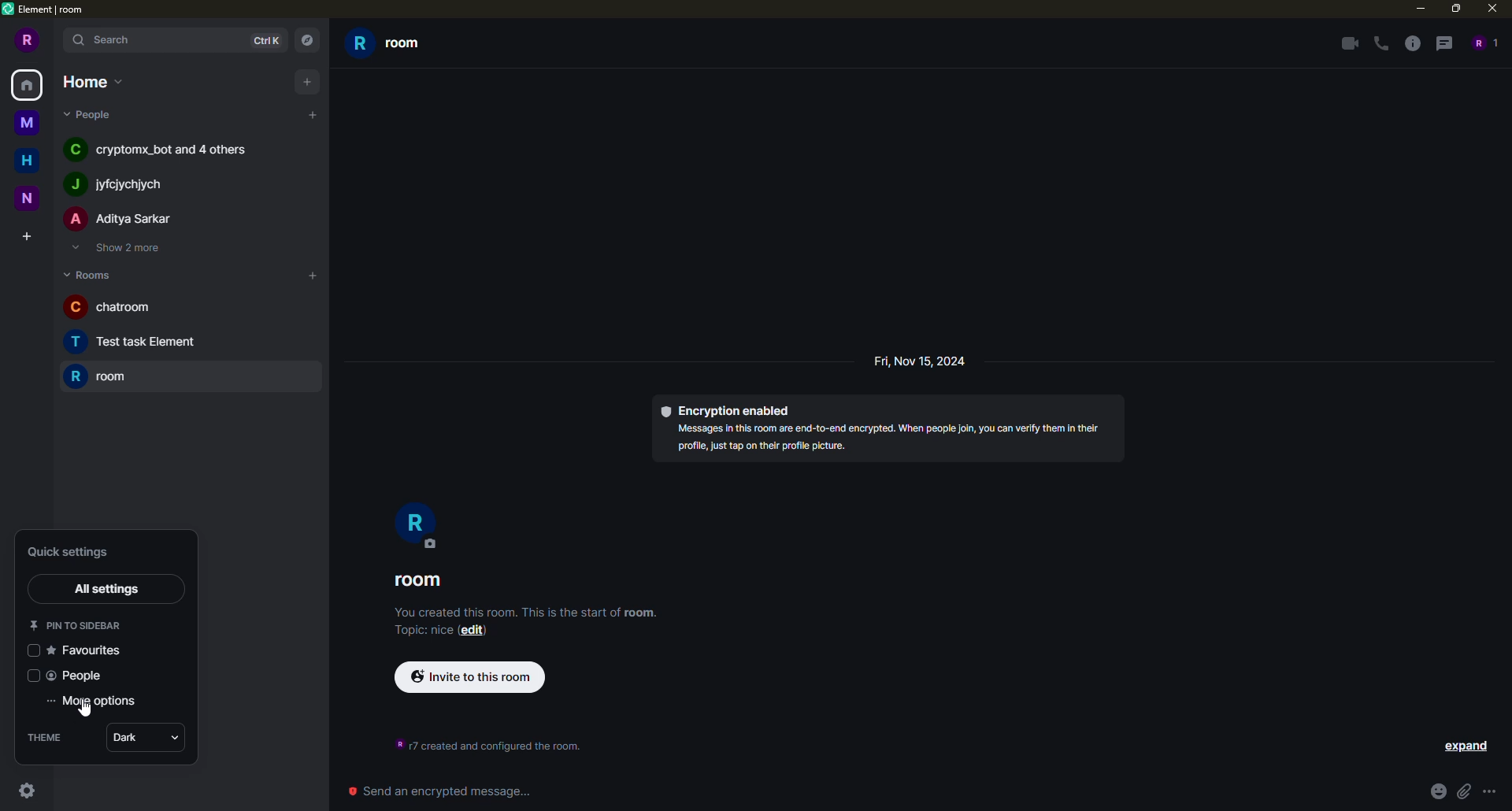 Image resolution: width=1512 pixels, height=811 pixels. What do you see at coordinates (146, 346) in the screenshot?
I see `T Test task Element` at bounding box center [146, 346].